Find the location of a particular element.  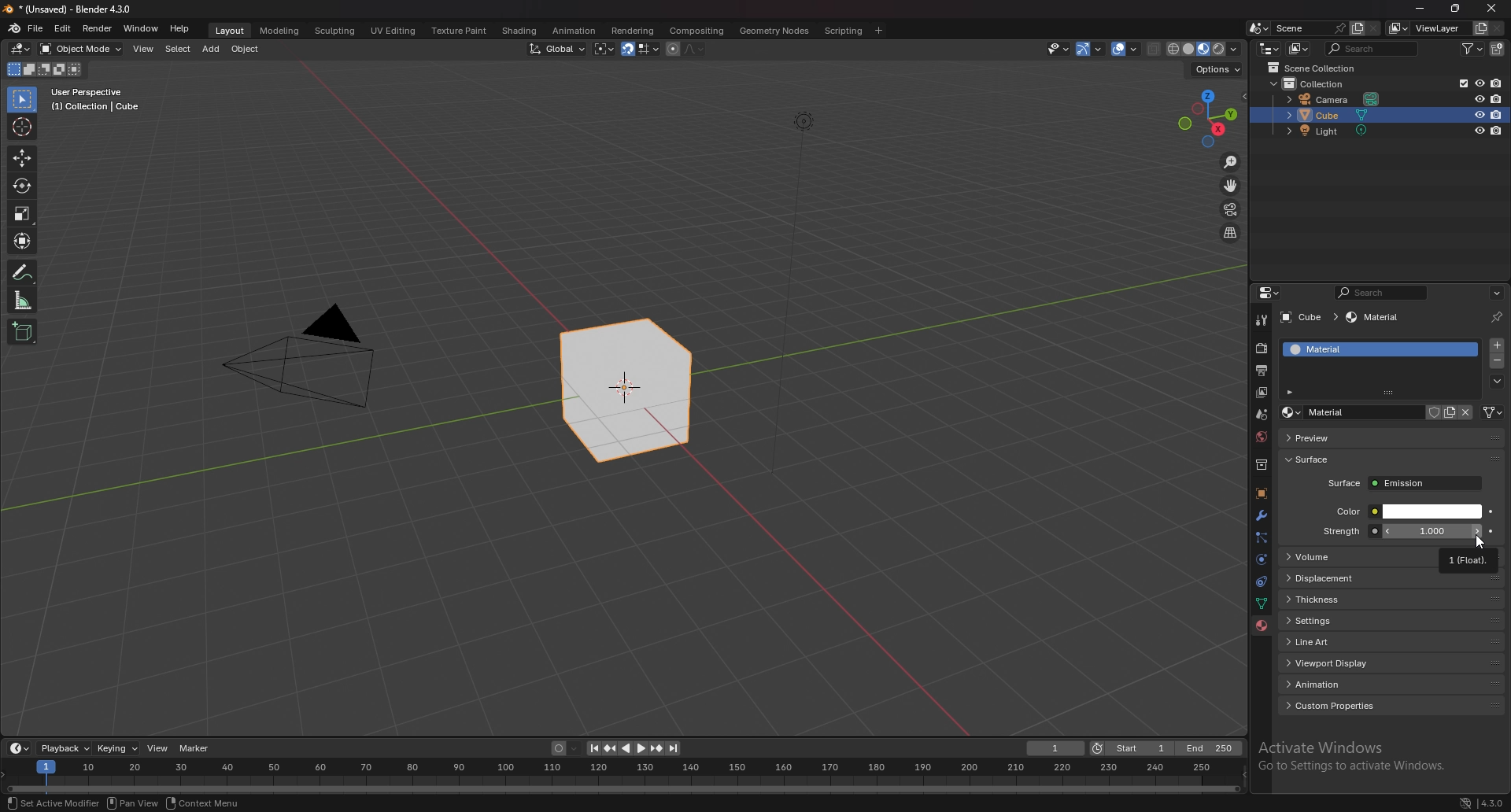

* (Unsaved) - Blender 4.3.0 is located at coordinates (79, 9).